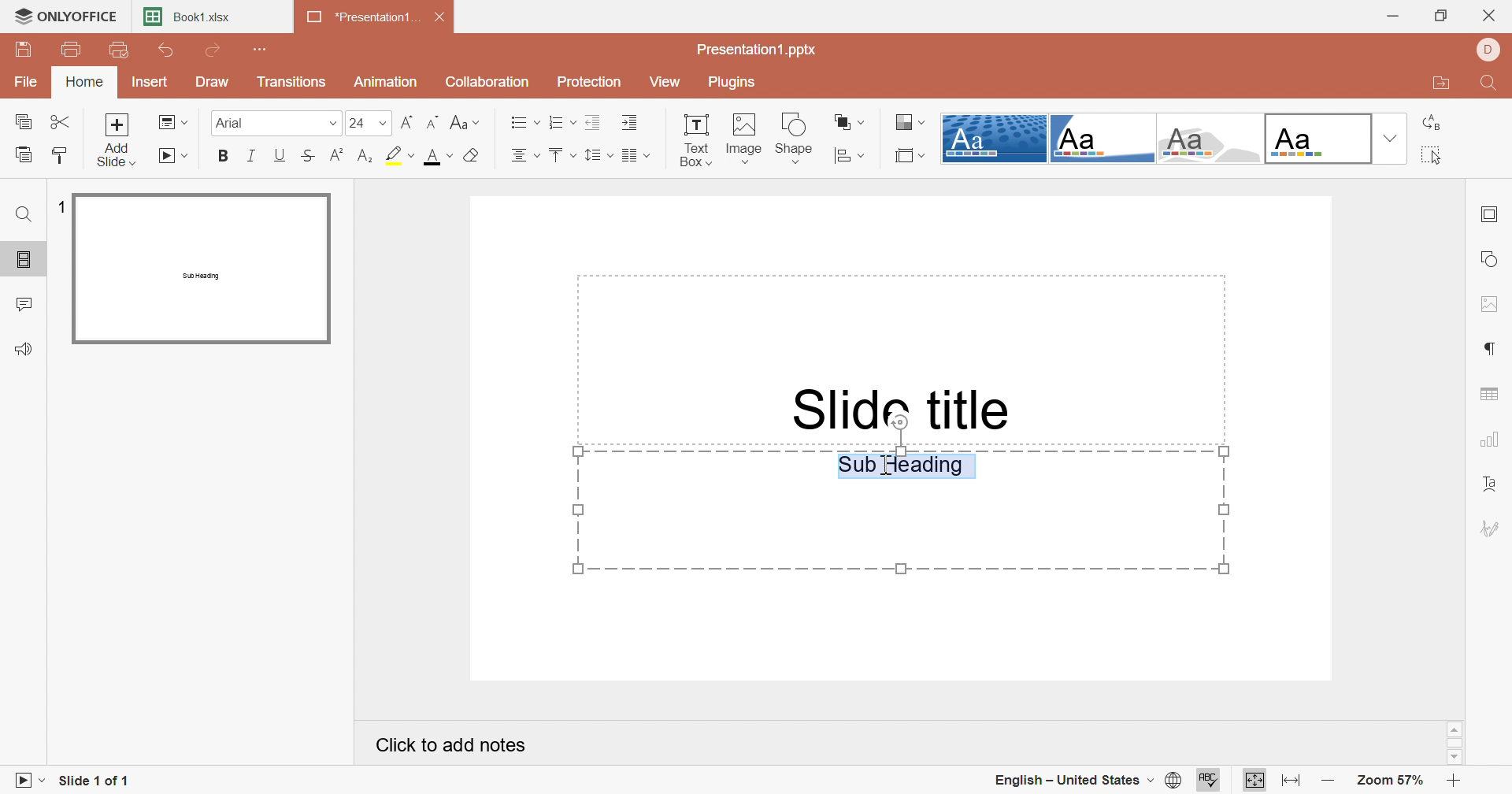 This screenshot has width=1512, height=794. Describe the element at coordinates (439, 15) in the screenshot. I see `Close` at that location.